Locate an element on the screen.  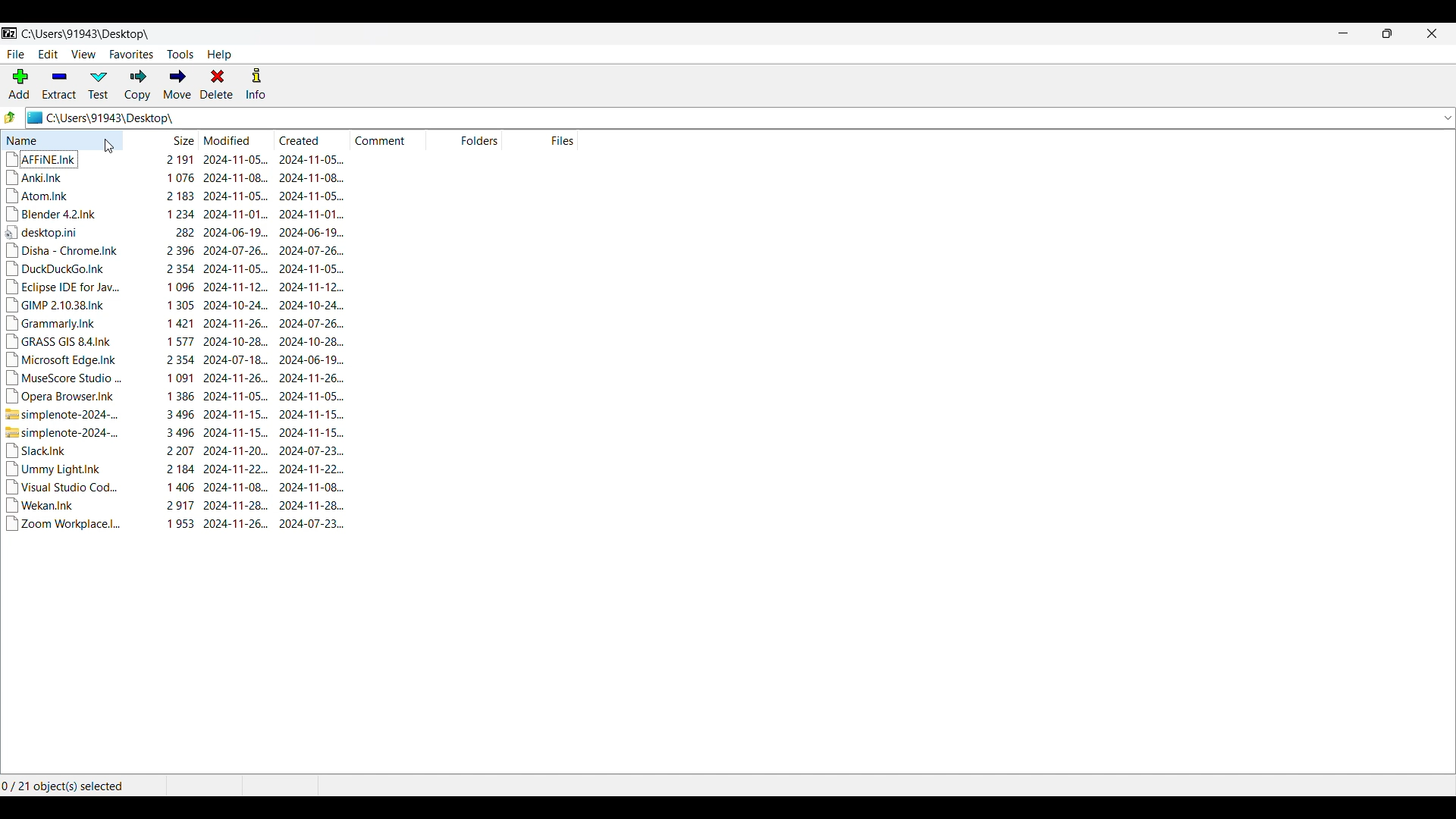
Comment  is located at coordinates (388, 140).